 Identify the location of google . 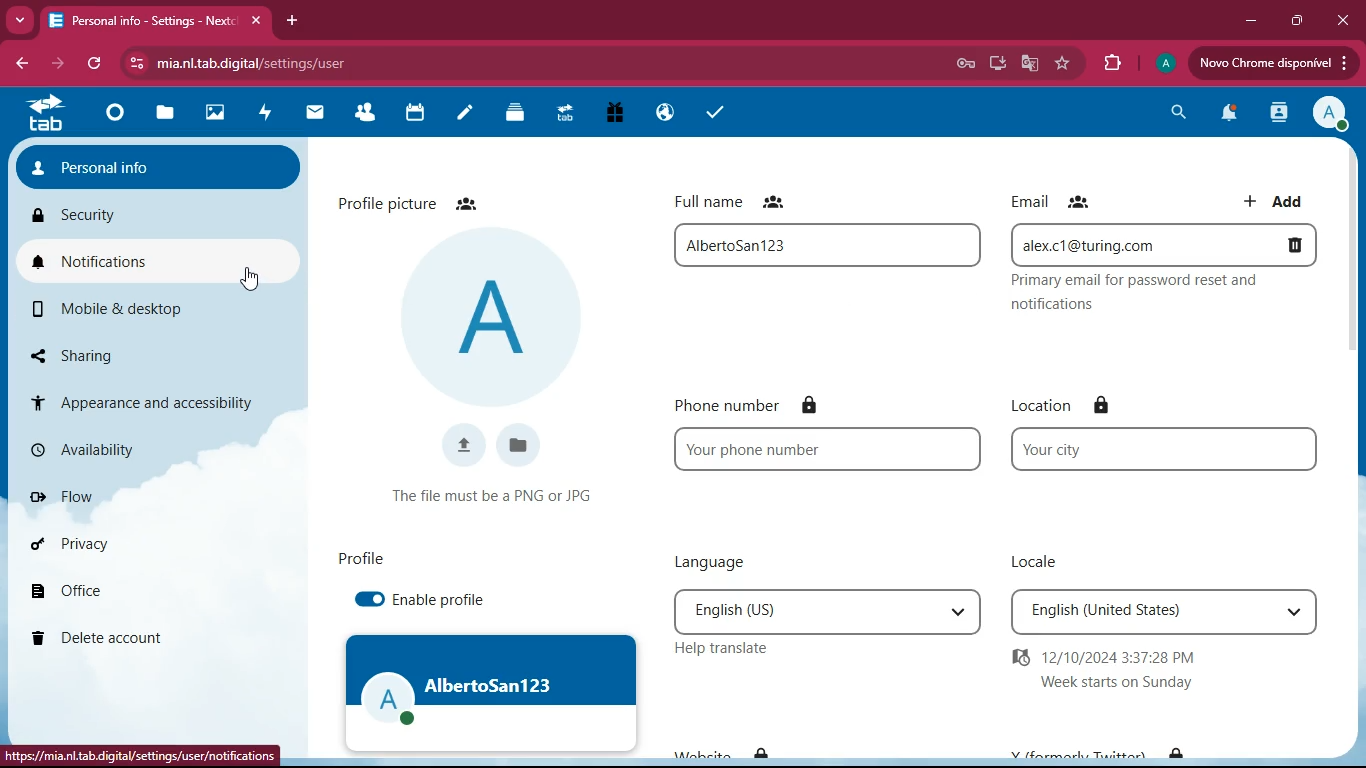
(1025, 64).